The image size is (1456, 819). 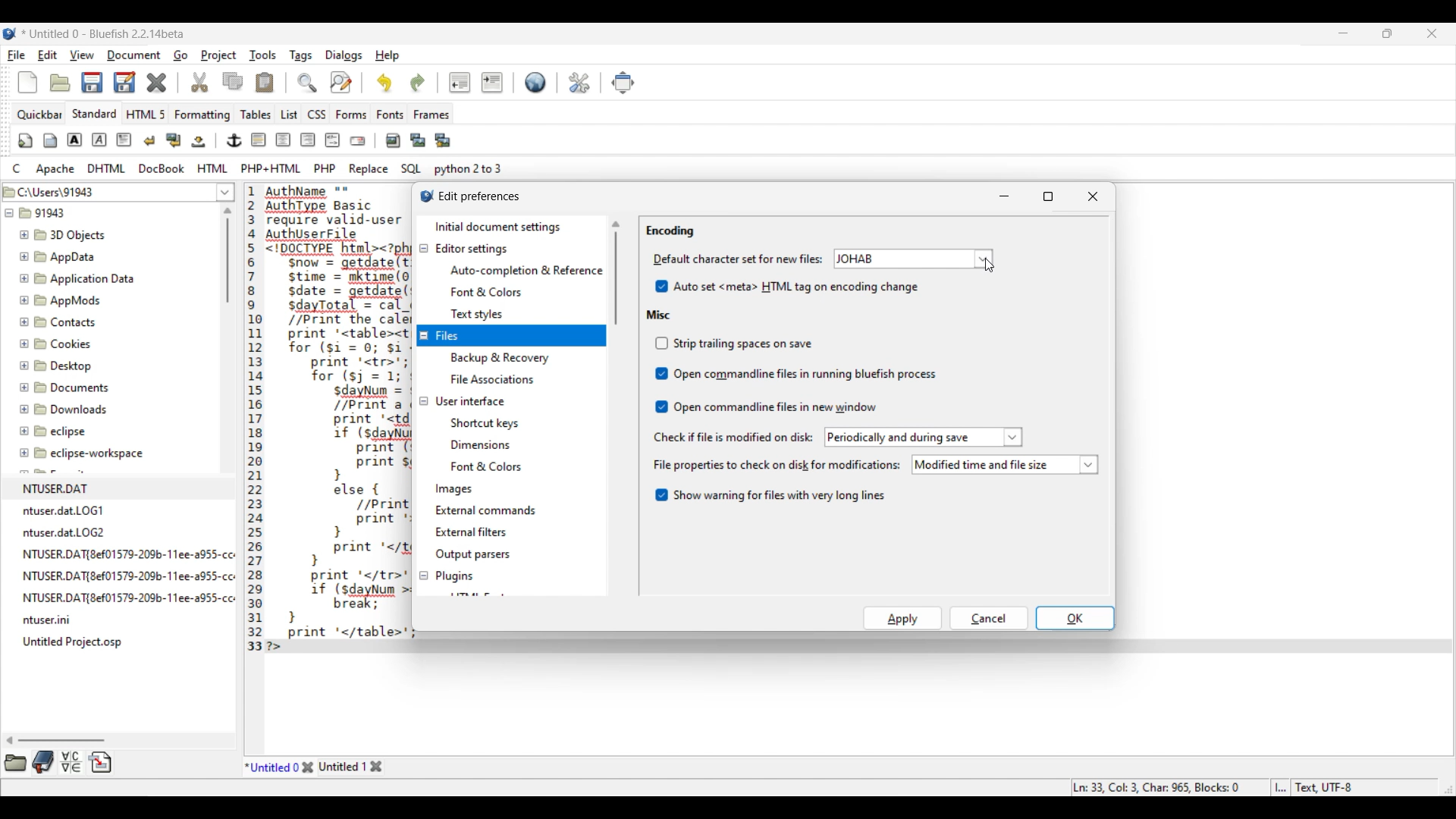 I want to click on Vertical slide bar, so click(x=227, y=256).